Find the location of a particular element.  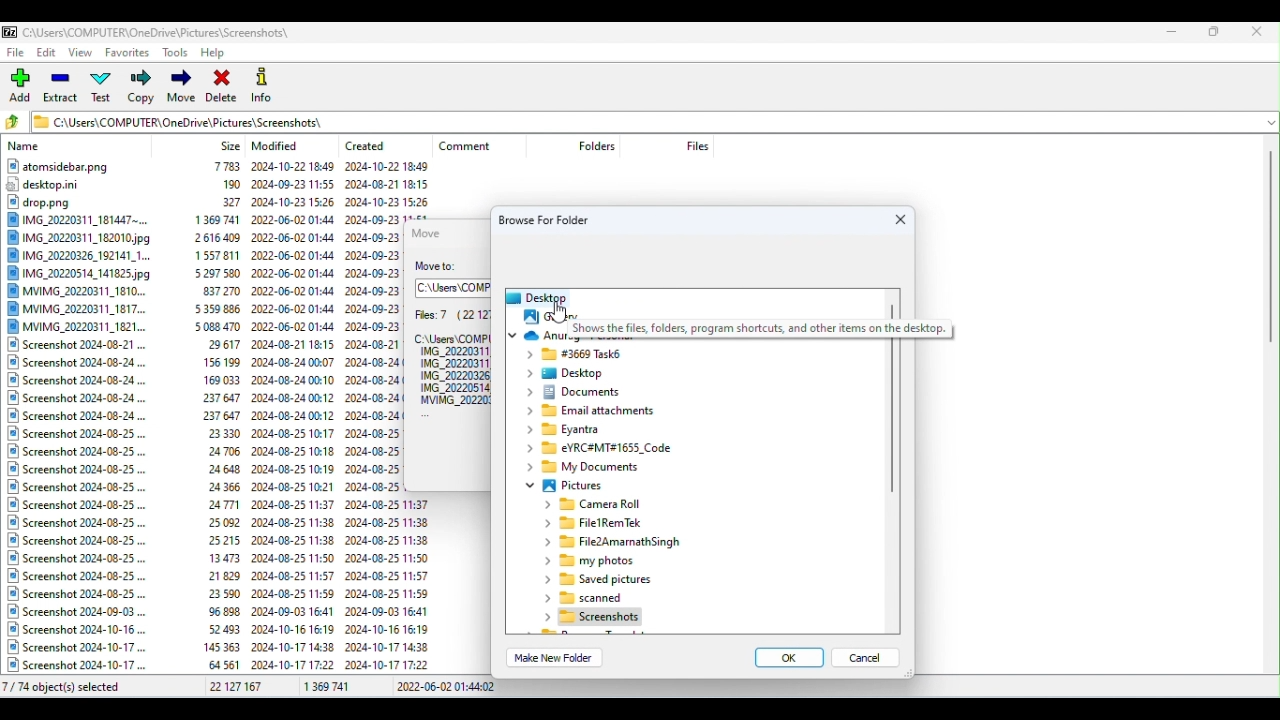

Tools is located at coordinates (176, 52).